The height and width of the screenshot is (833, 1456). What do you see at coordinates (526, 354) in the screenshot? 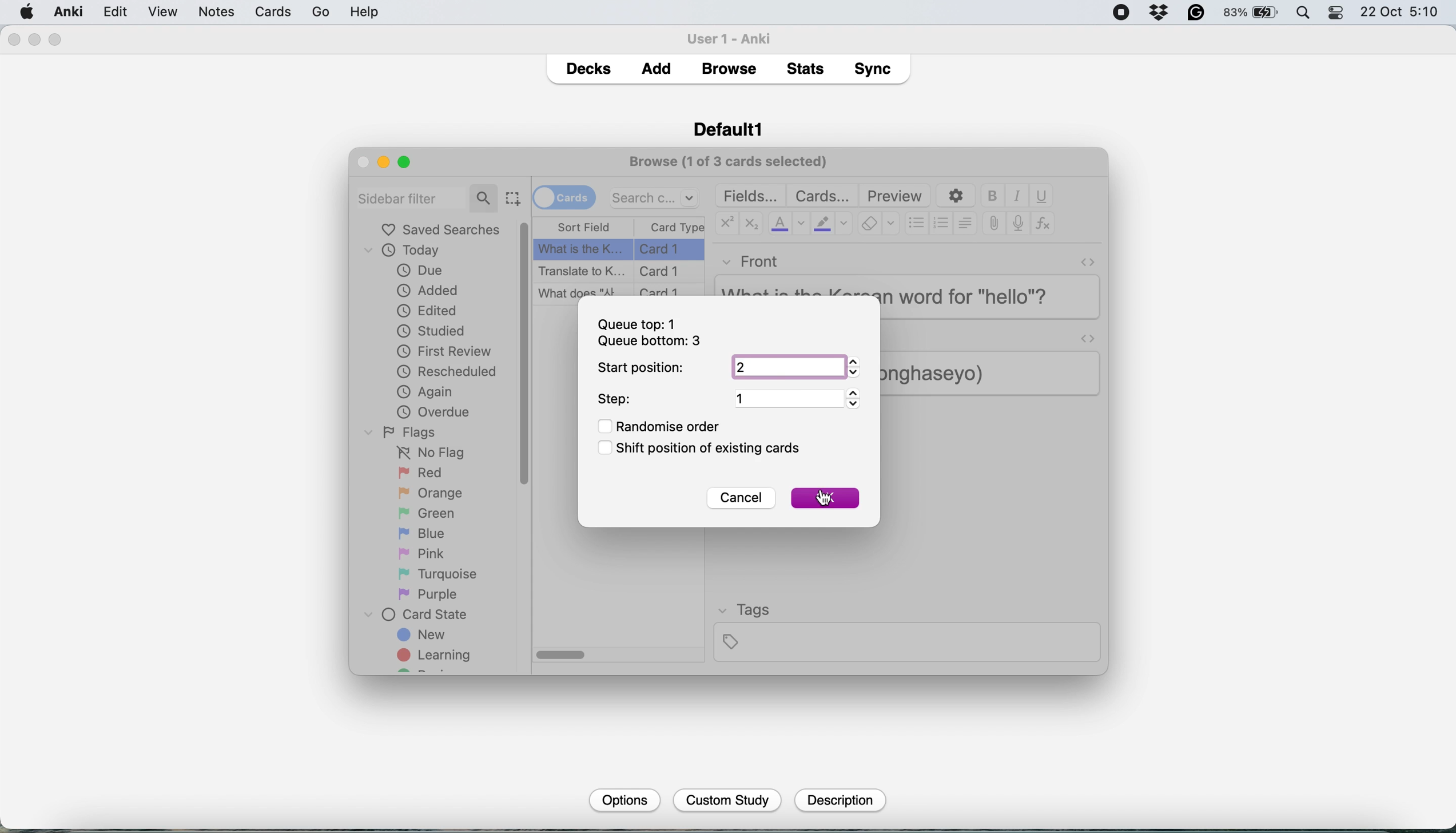
I see `side bar vertical scroll bar` at bounding box center [526, 354].